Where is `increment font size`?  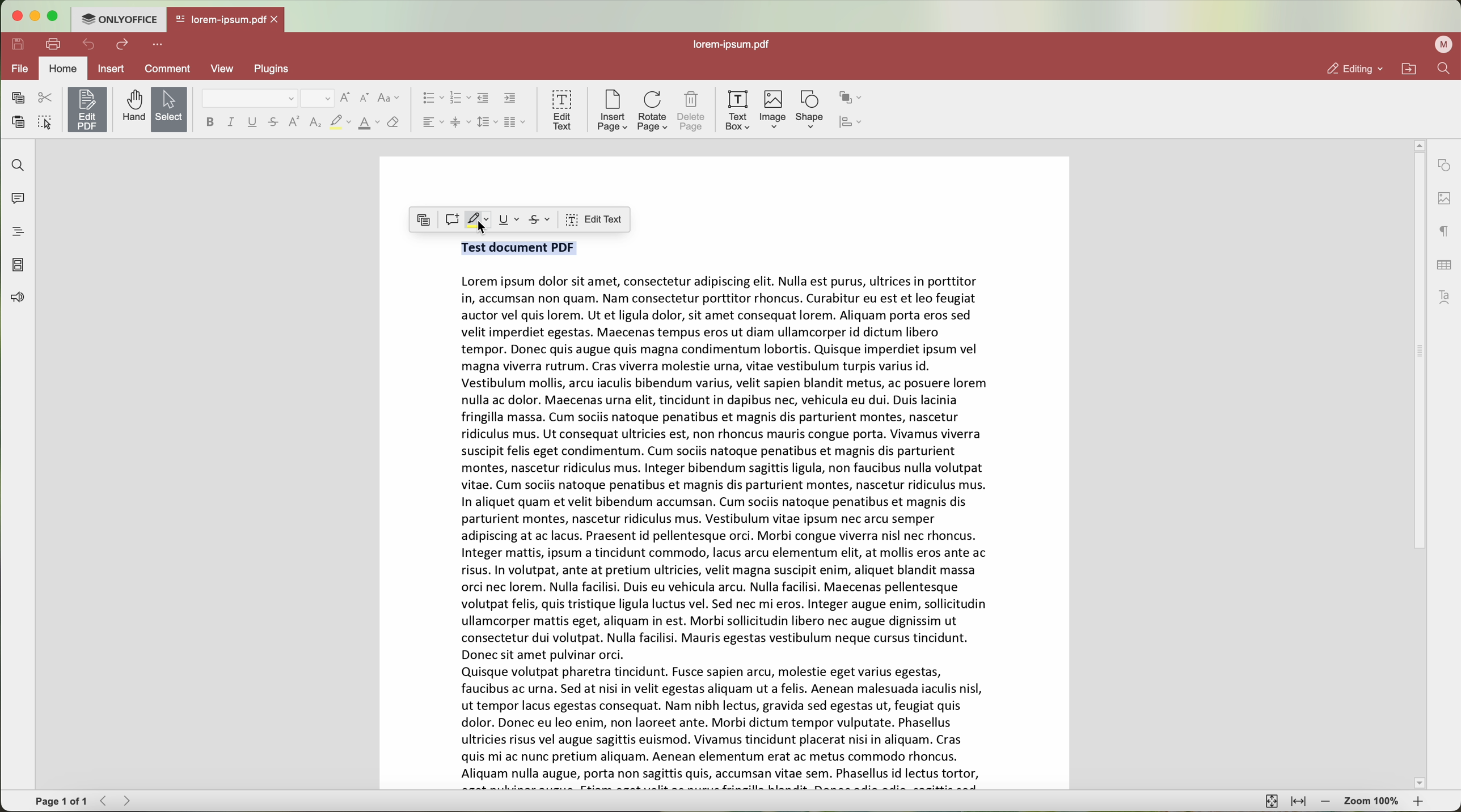 increment font size is located at coordinates (346, 97).